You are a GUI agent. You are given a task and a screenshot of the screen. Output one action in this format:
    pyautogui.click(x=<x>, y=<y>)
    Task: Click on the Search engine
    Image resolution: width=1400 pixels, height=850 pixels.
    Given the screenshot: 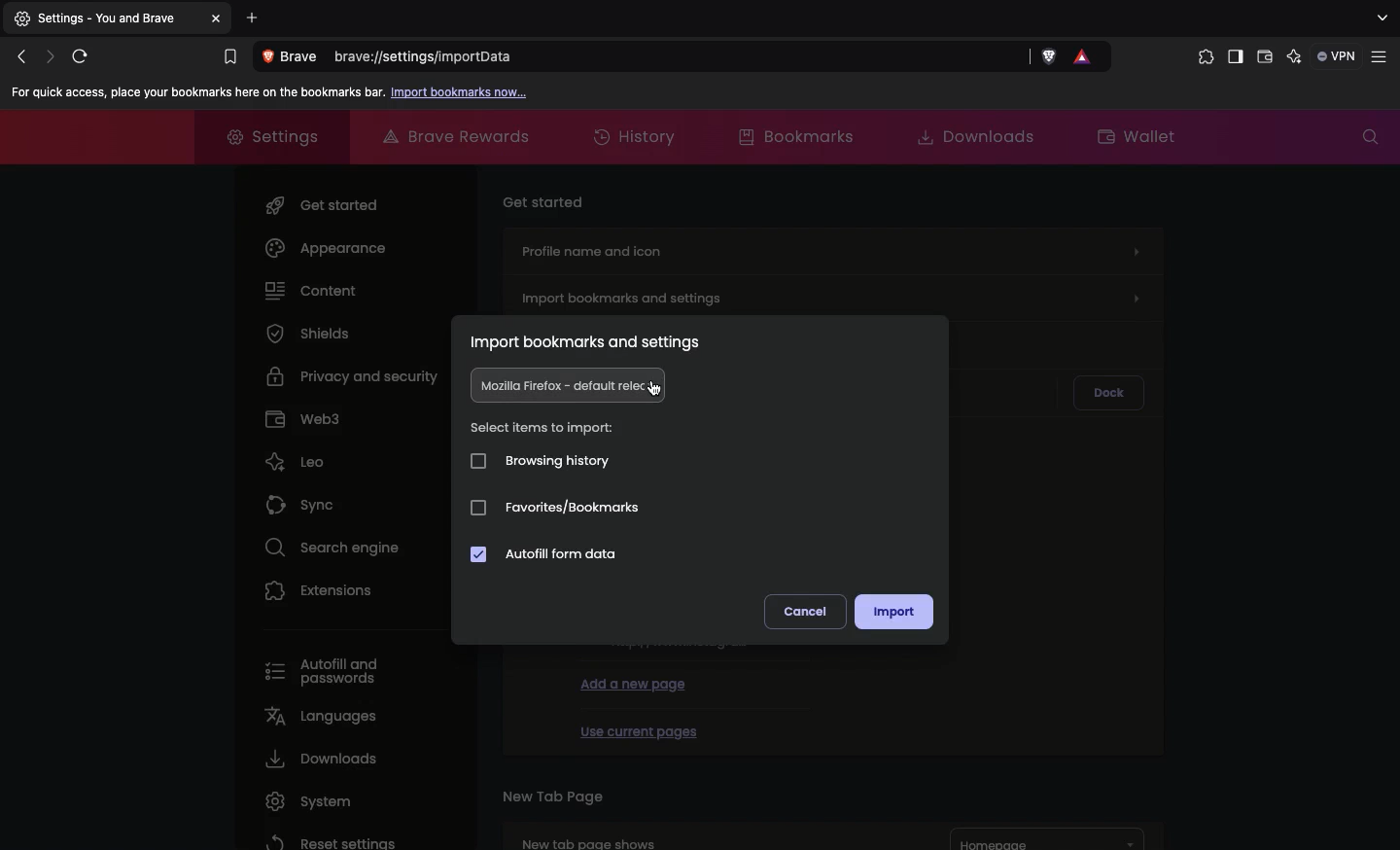 What is the action you would take?
    pyautogui.click(x=326, y=545)
    